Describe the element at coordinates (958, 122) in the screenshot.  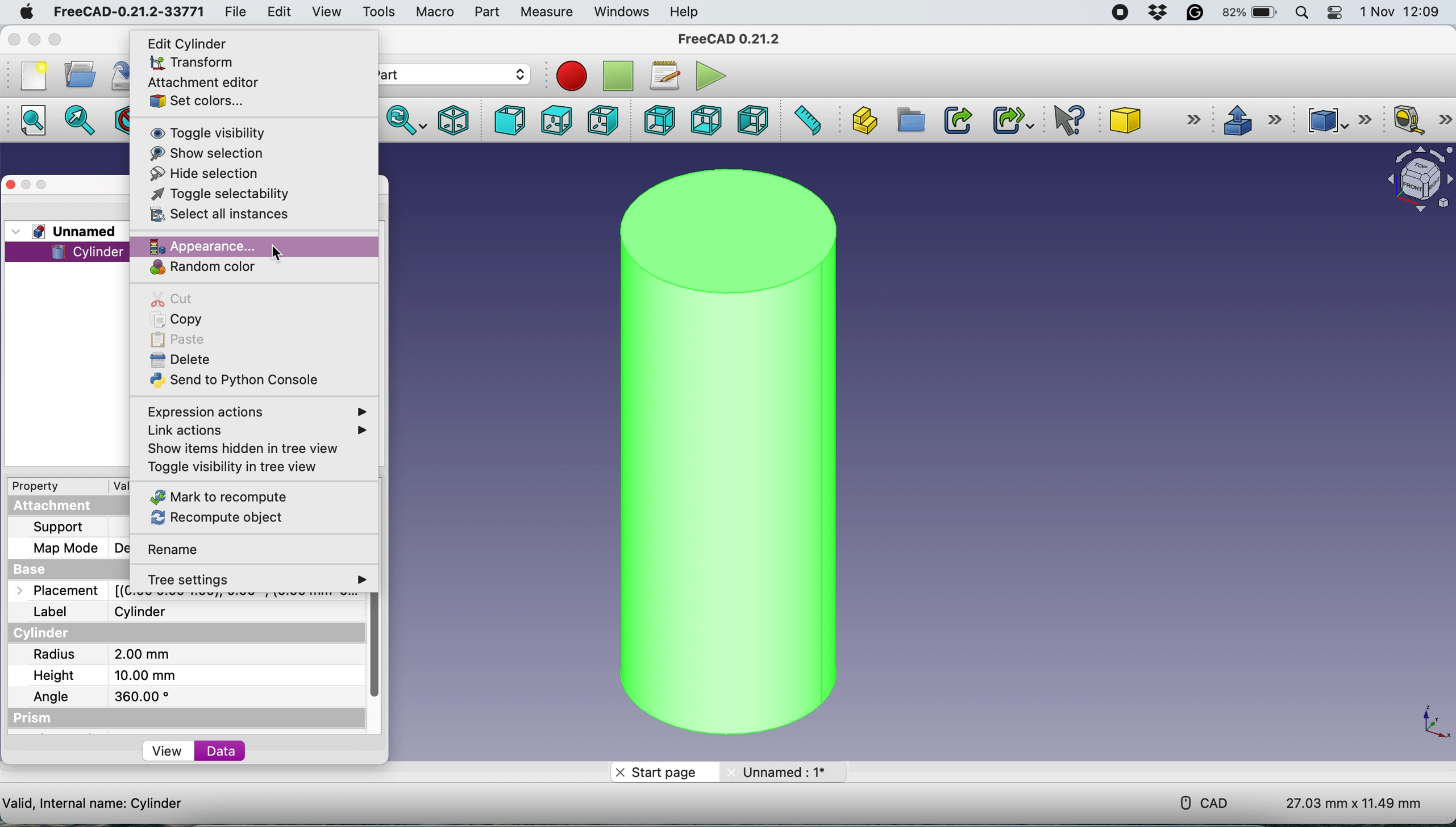
I see `make link` at that location.